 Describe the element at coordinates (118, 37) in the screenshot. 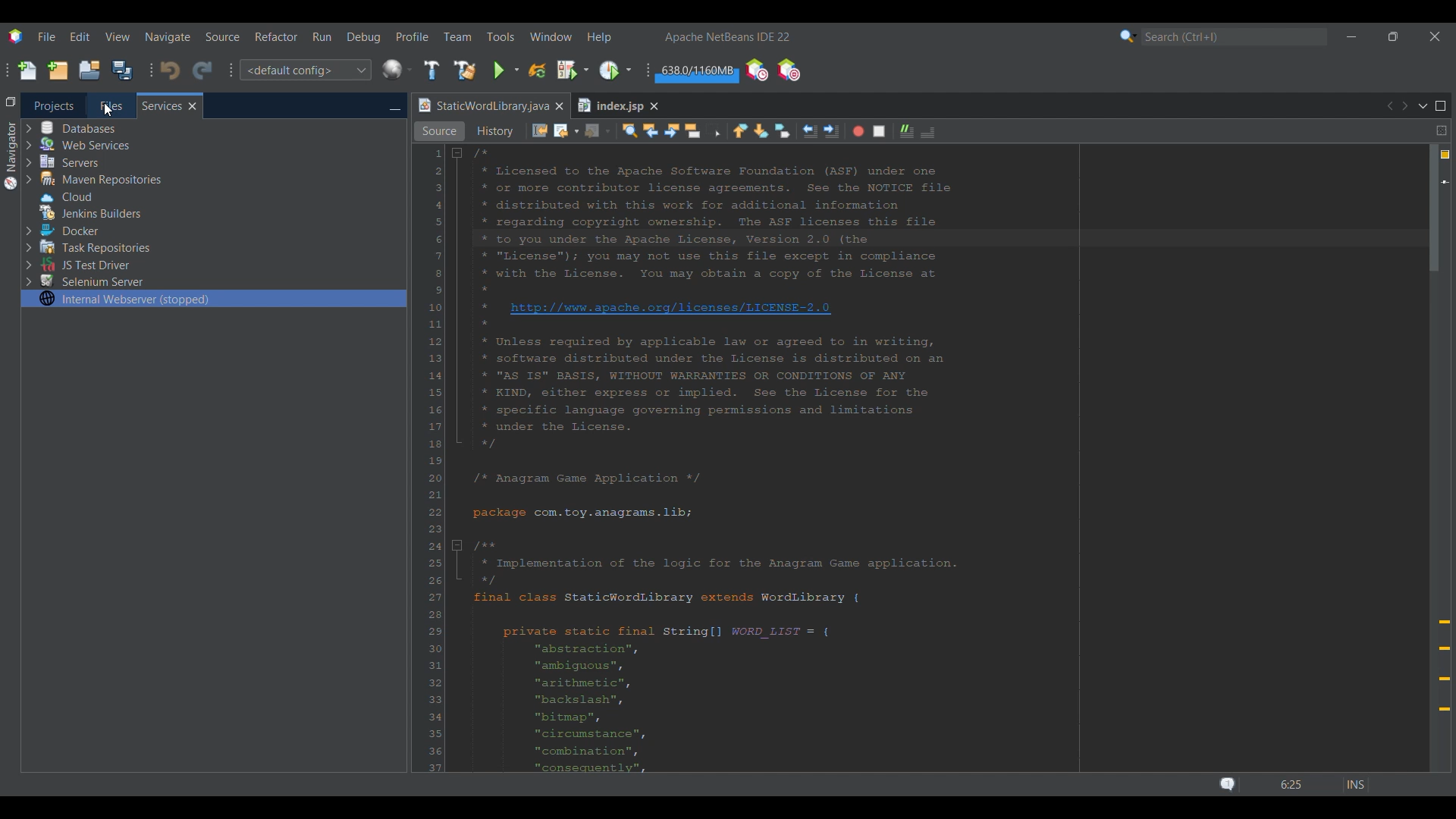

I see `View menu` at that location.